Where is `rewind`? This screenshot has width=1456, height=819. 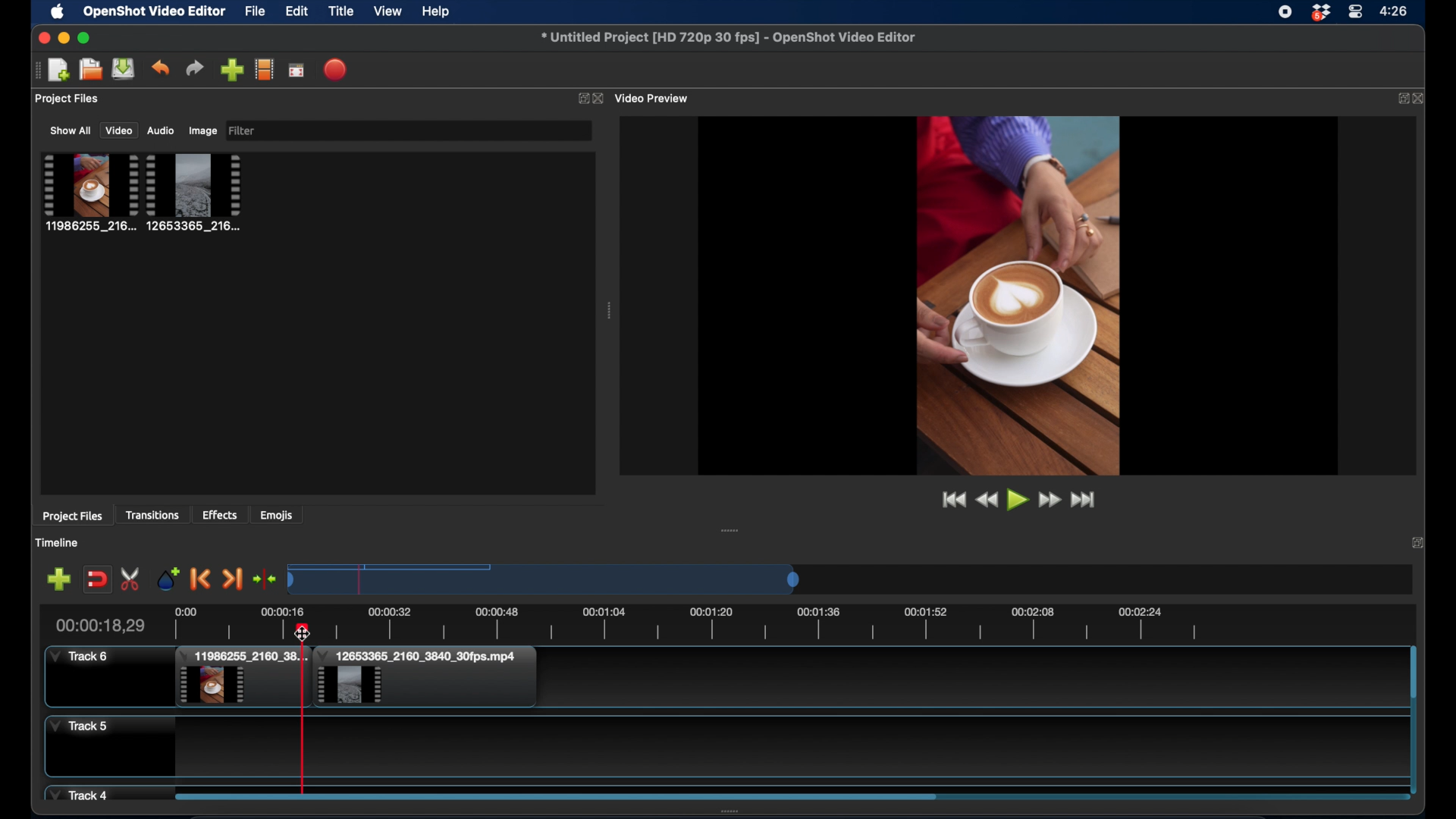
rewind is located at coordinates (986, 500).